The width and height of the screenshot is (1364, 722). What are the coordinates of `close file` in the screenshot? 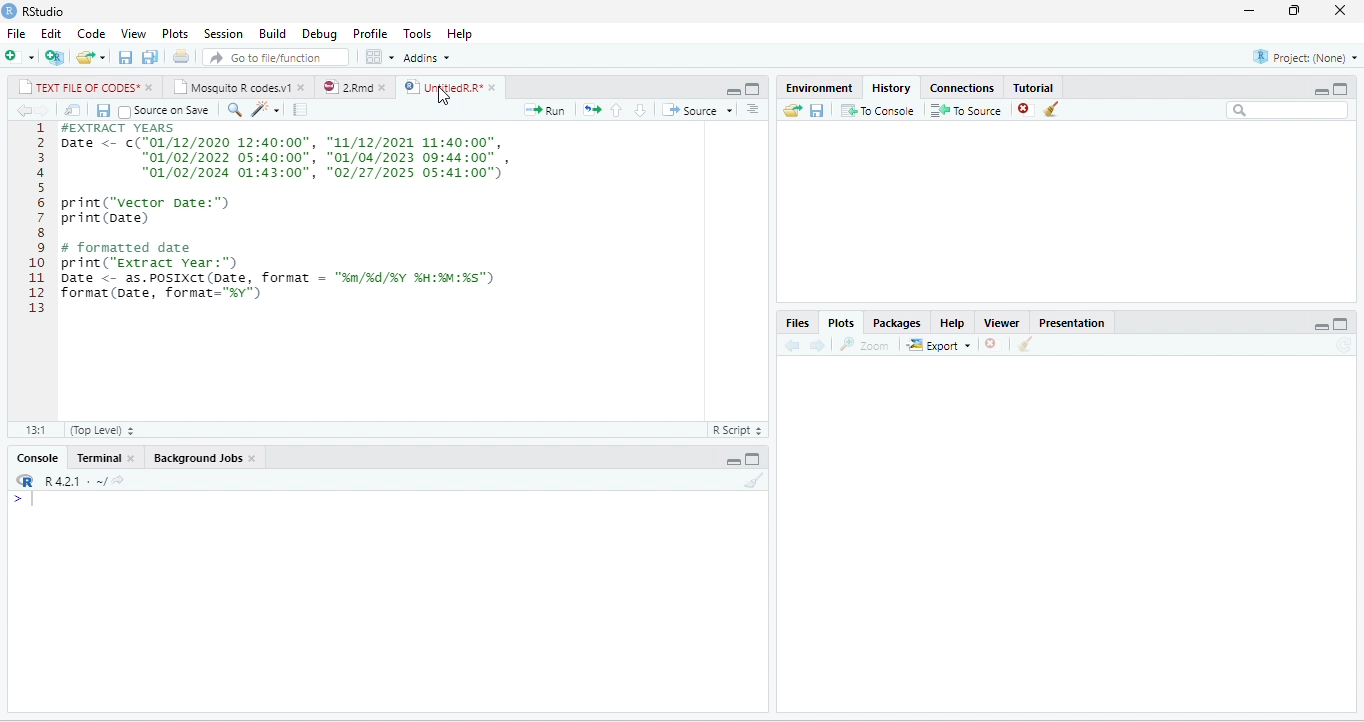 It's located at (1026, 109).